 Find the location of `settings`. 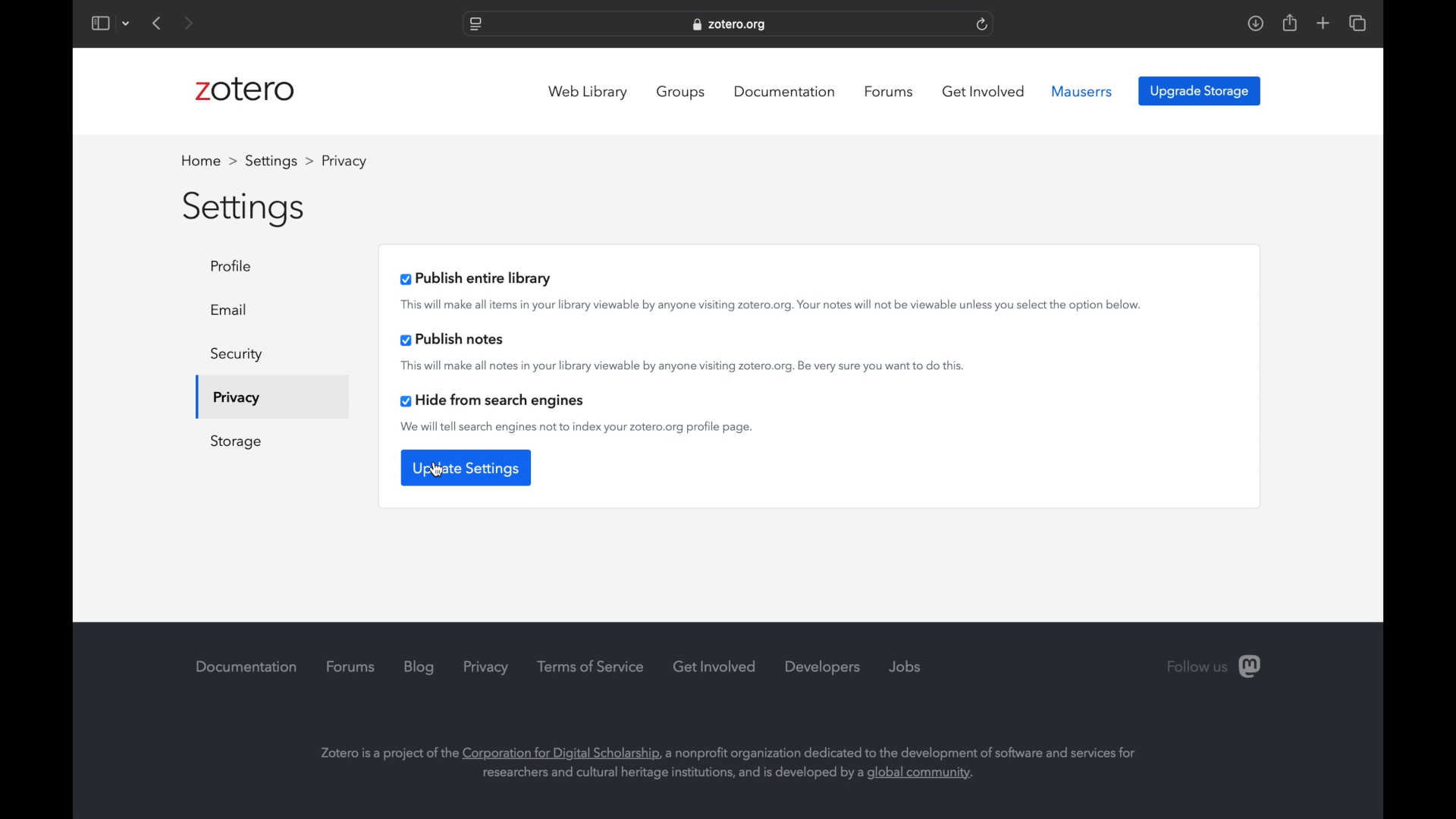

settings is located at coordinates (279, 161).